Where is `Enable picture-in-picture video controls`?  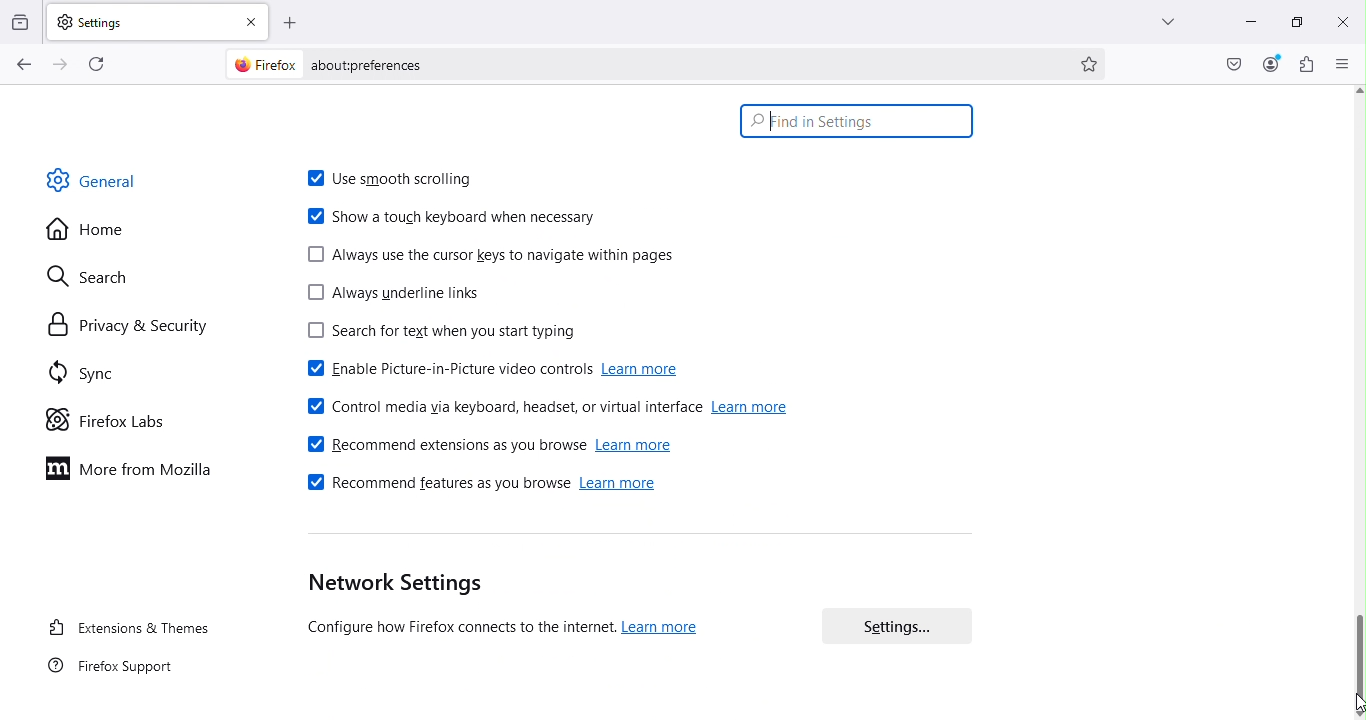 Enable picture-in-picture video controls is located at coordinates (488, 367).